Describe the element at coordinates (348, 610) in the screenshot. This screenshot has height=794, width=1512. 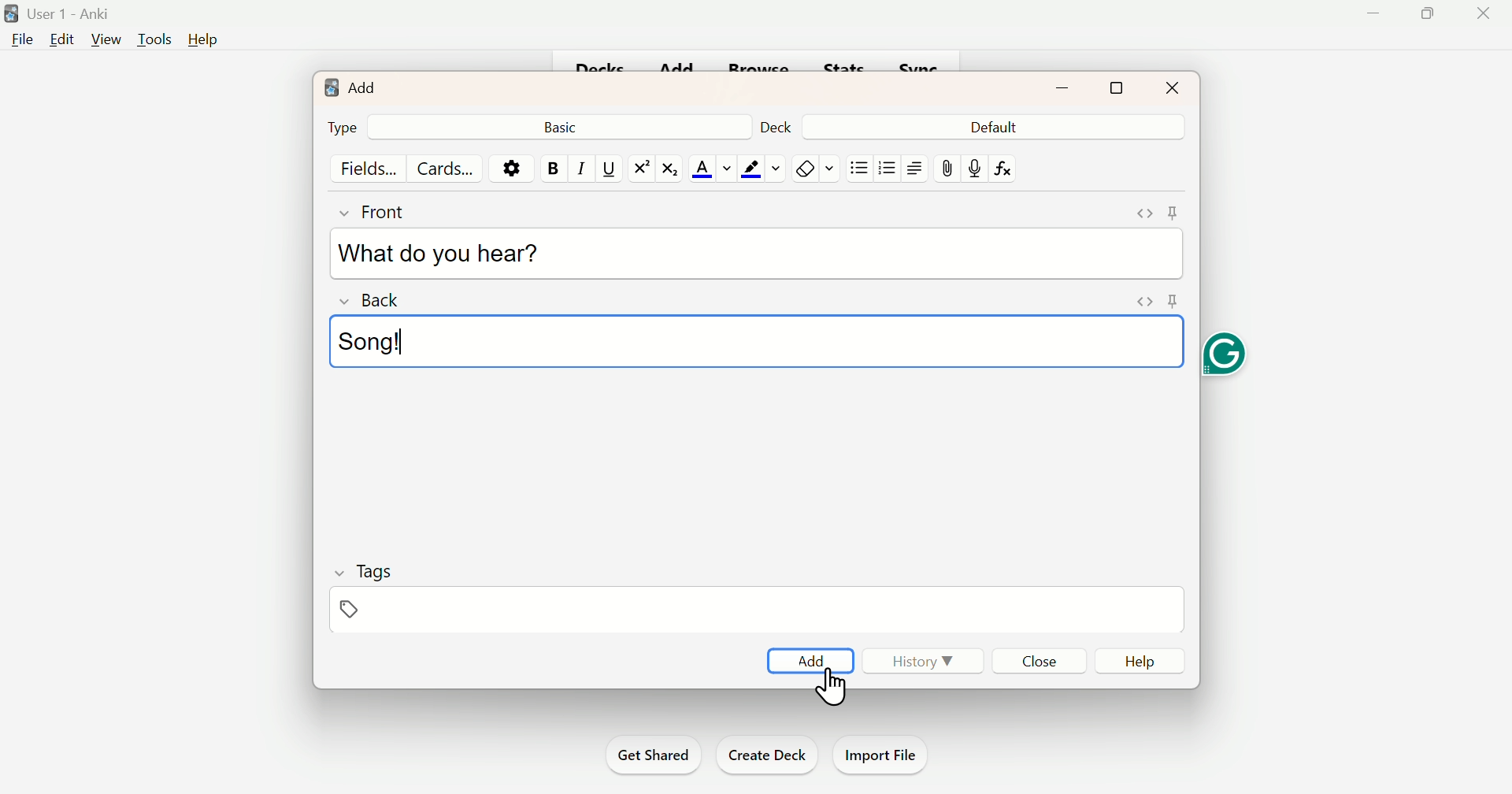
I see `Pin` at that location.